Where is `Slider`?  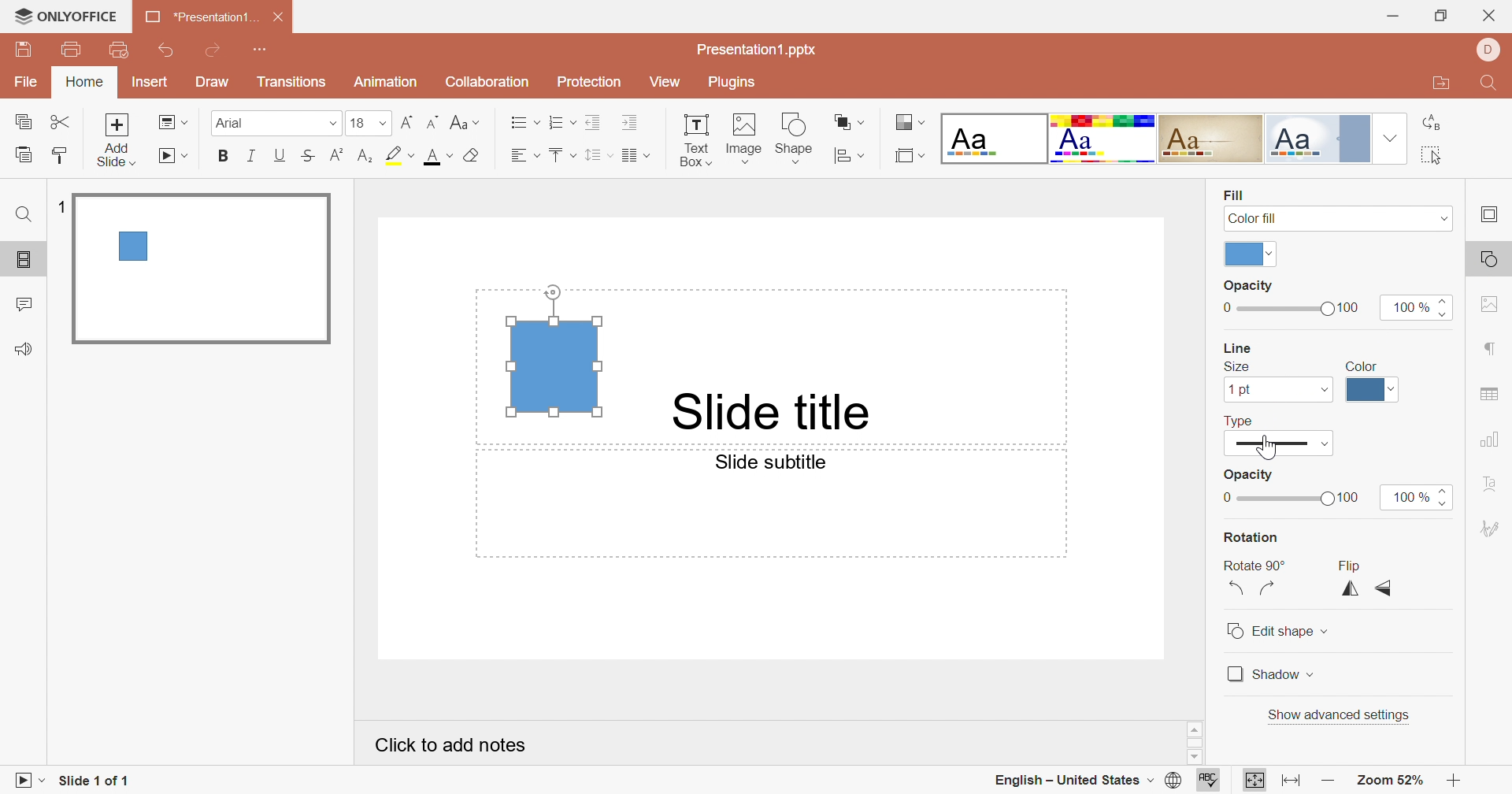 Slider is located at coordinates (1449, 306).